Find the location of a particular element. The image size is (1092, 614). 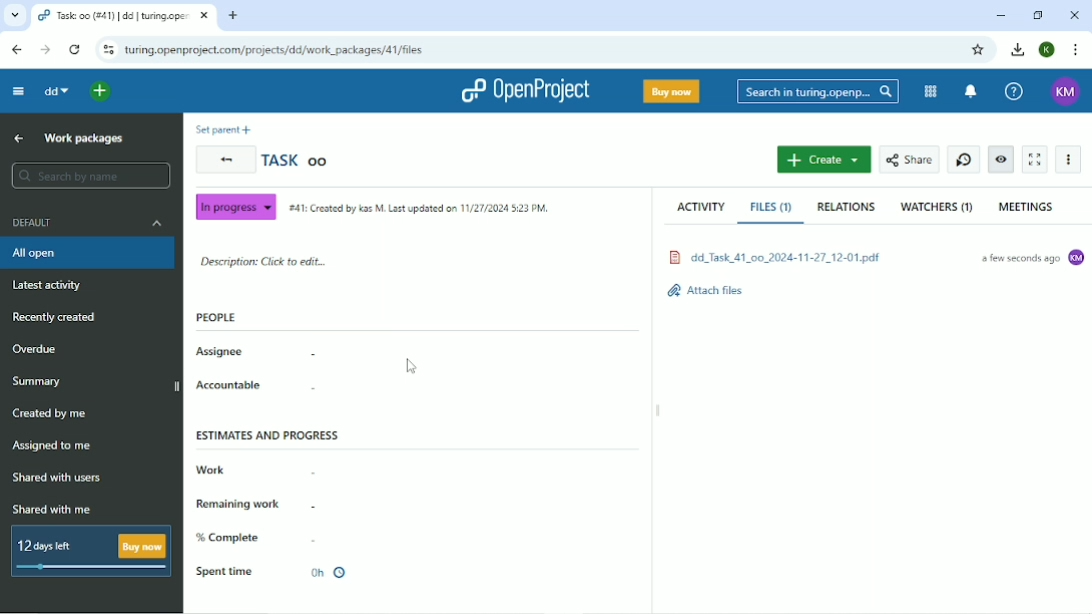

0h is located at coordinates (327, 573).